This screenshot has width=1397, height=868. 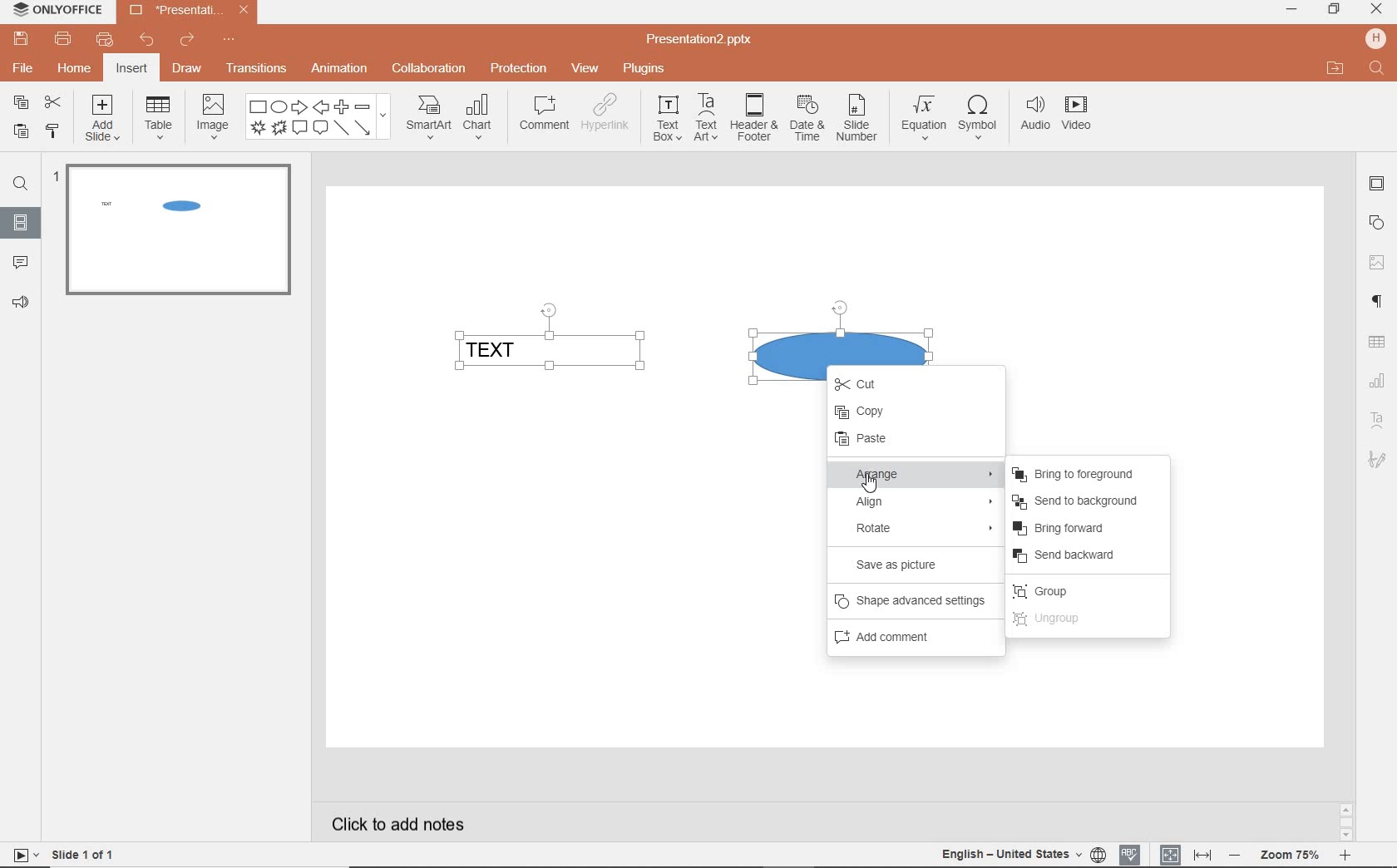 I want to click on copy style, so click(x=52, y=131).